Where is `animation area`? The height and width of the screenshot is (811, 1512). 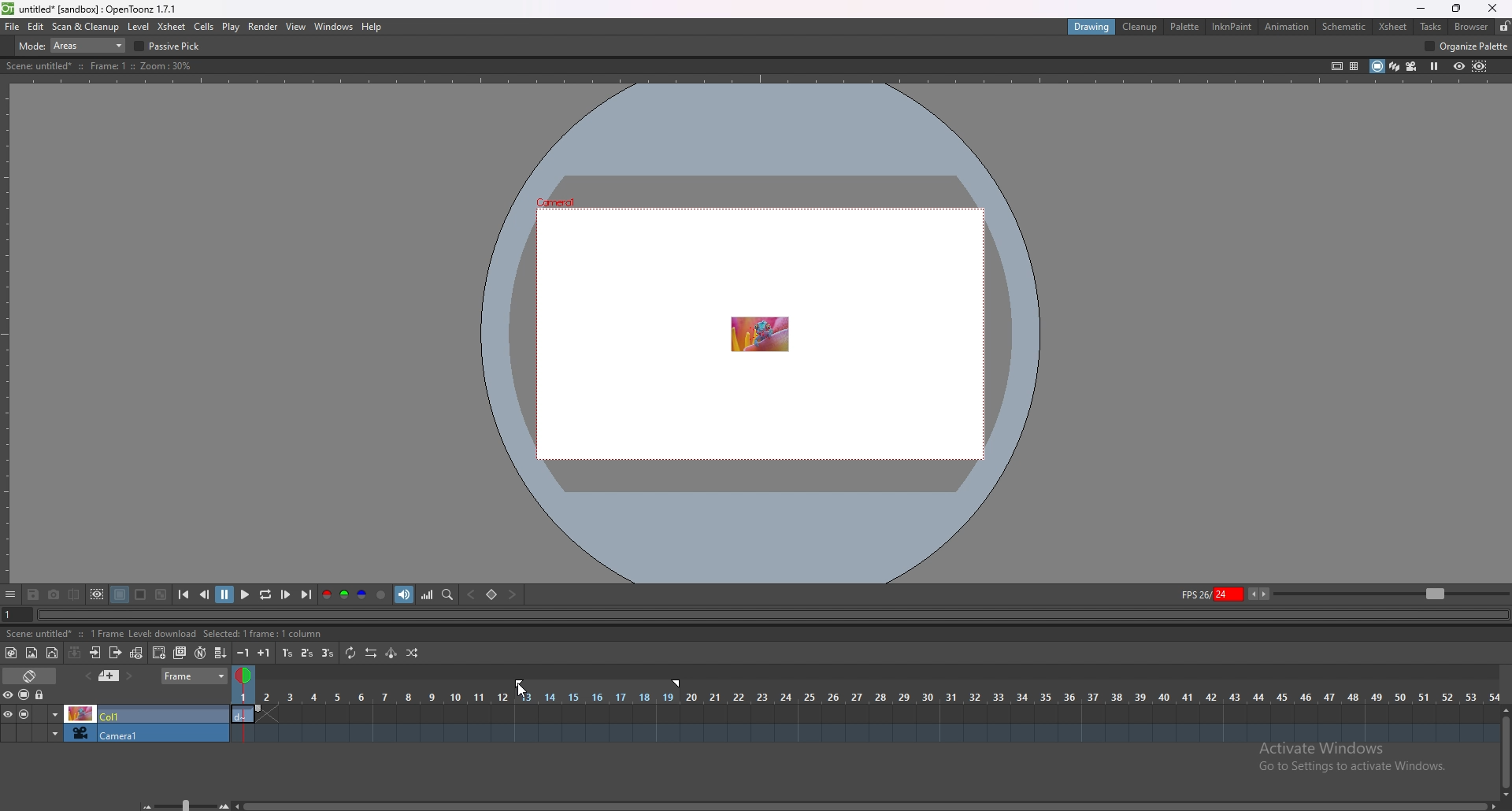
animation area is located at coordinates (758, 332).